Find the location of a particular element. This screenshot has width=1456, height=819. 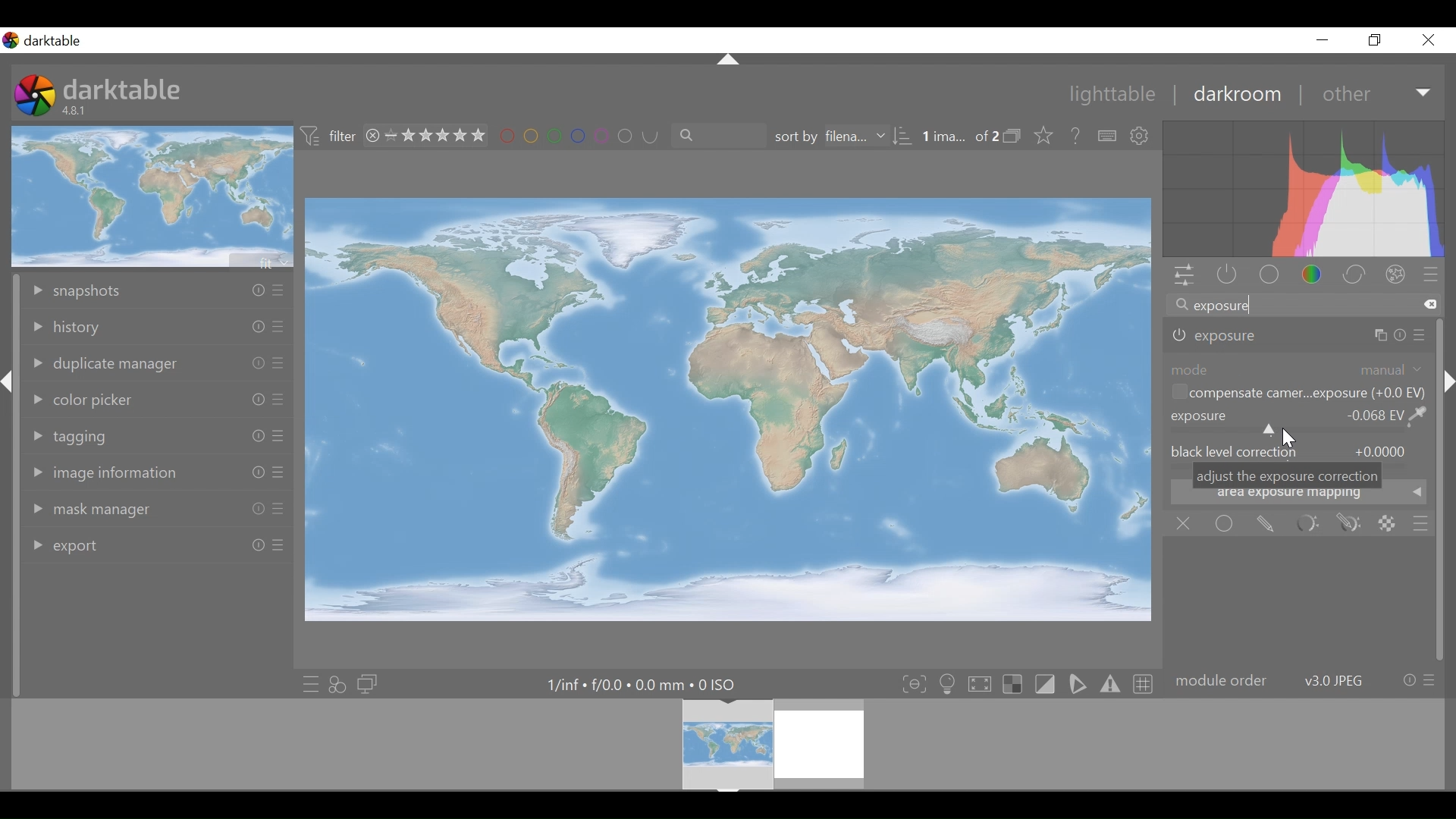

Cursor is located at coordinates (1292, 441).